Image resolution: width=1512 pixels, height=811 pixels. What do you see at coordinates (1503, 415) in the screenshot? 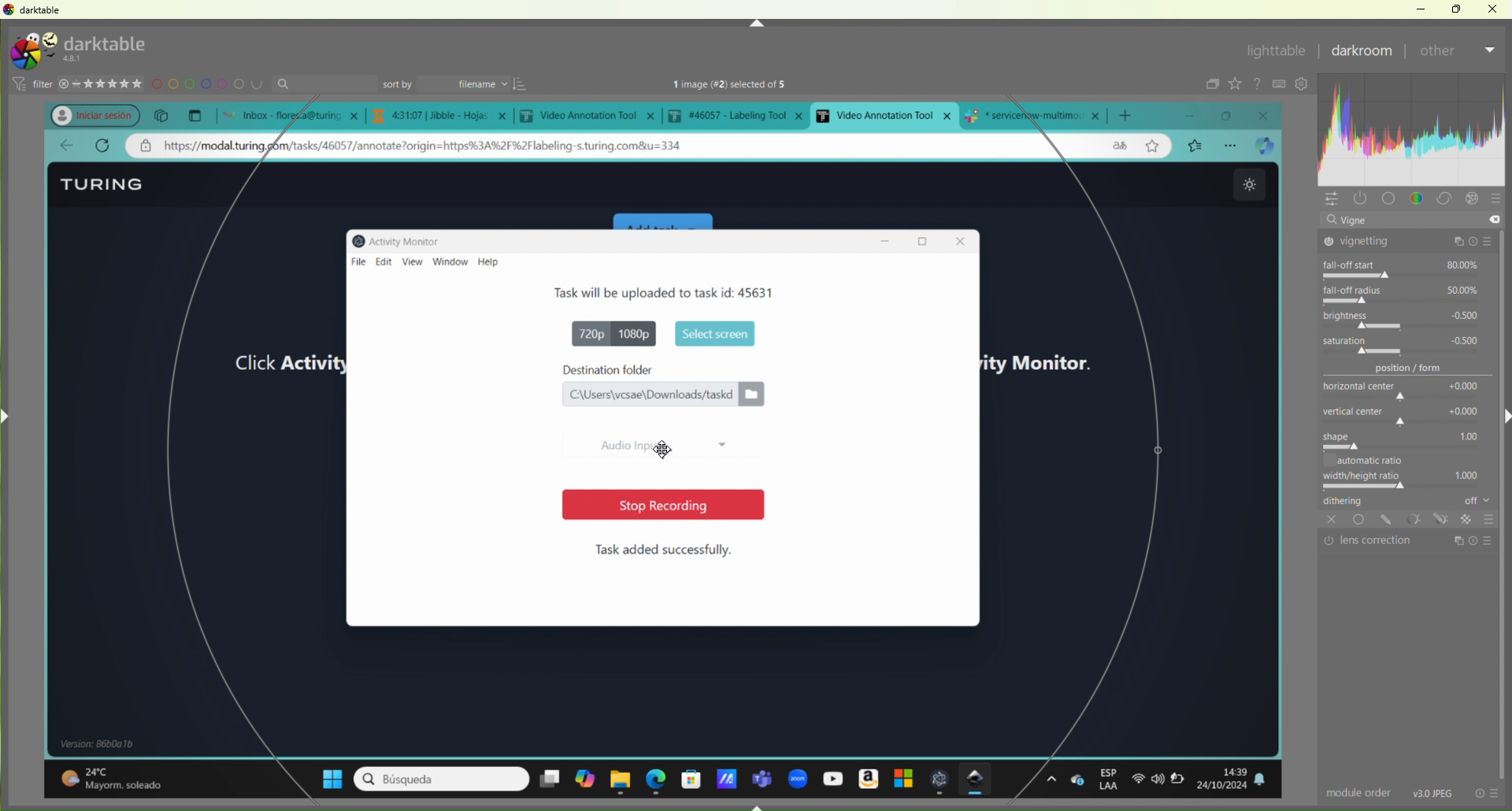
I see `Right` at bounding box center [1503, 415].